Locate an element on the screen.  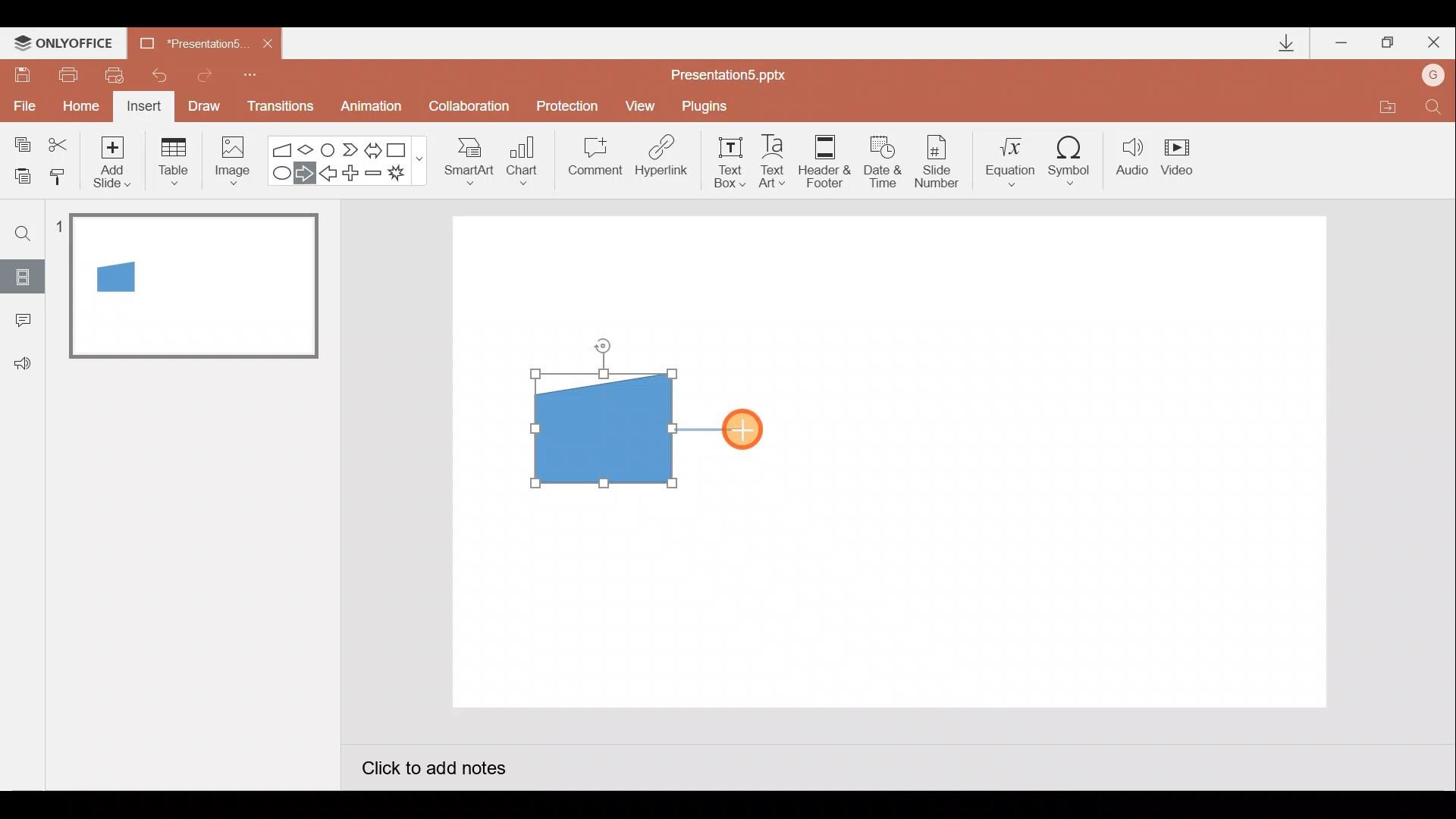
Quick print is located at coordinates (120, 71).